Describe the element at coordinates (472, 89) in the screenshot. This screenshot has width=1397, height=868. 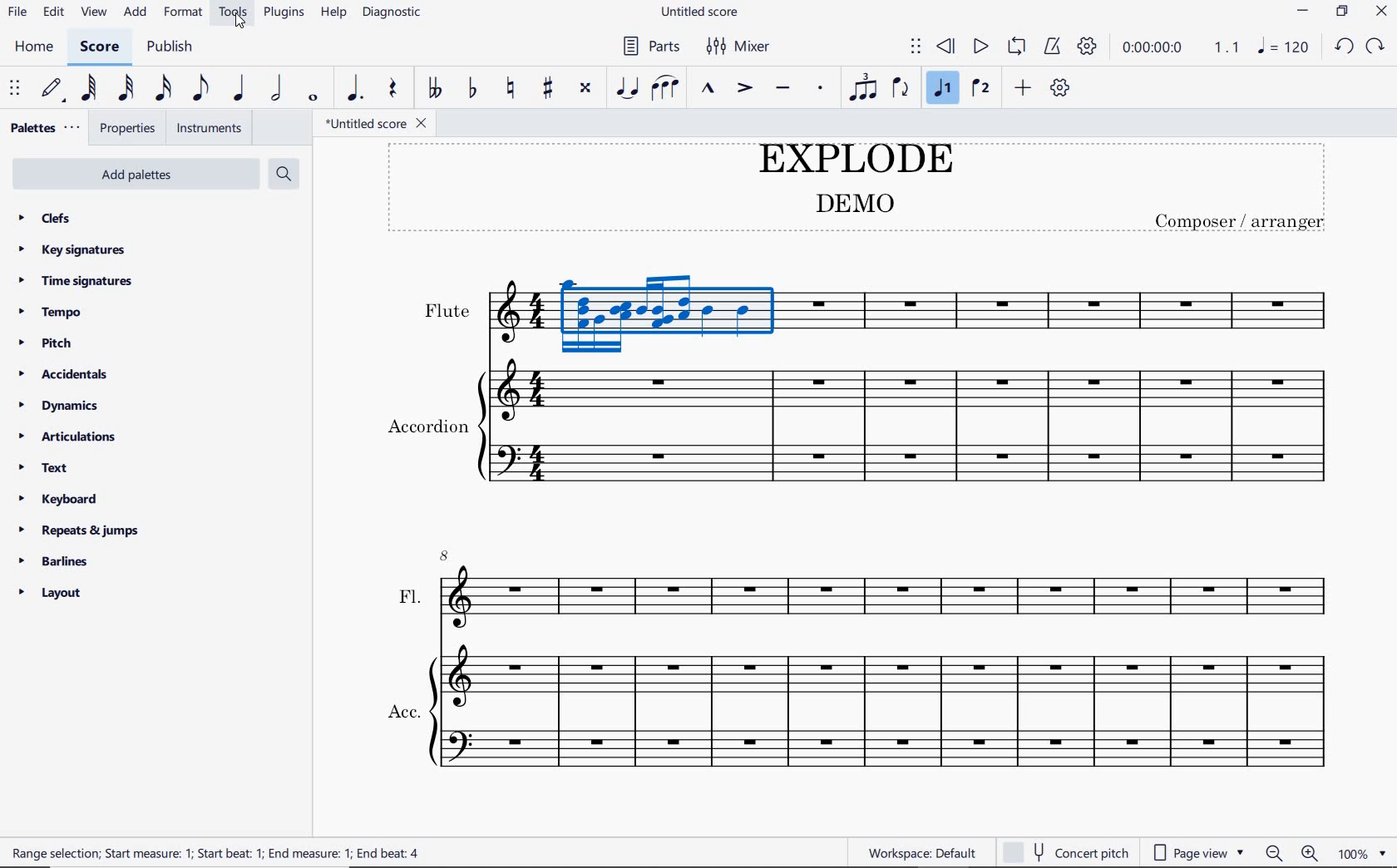
I see `toggle flat` at that location.